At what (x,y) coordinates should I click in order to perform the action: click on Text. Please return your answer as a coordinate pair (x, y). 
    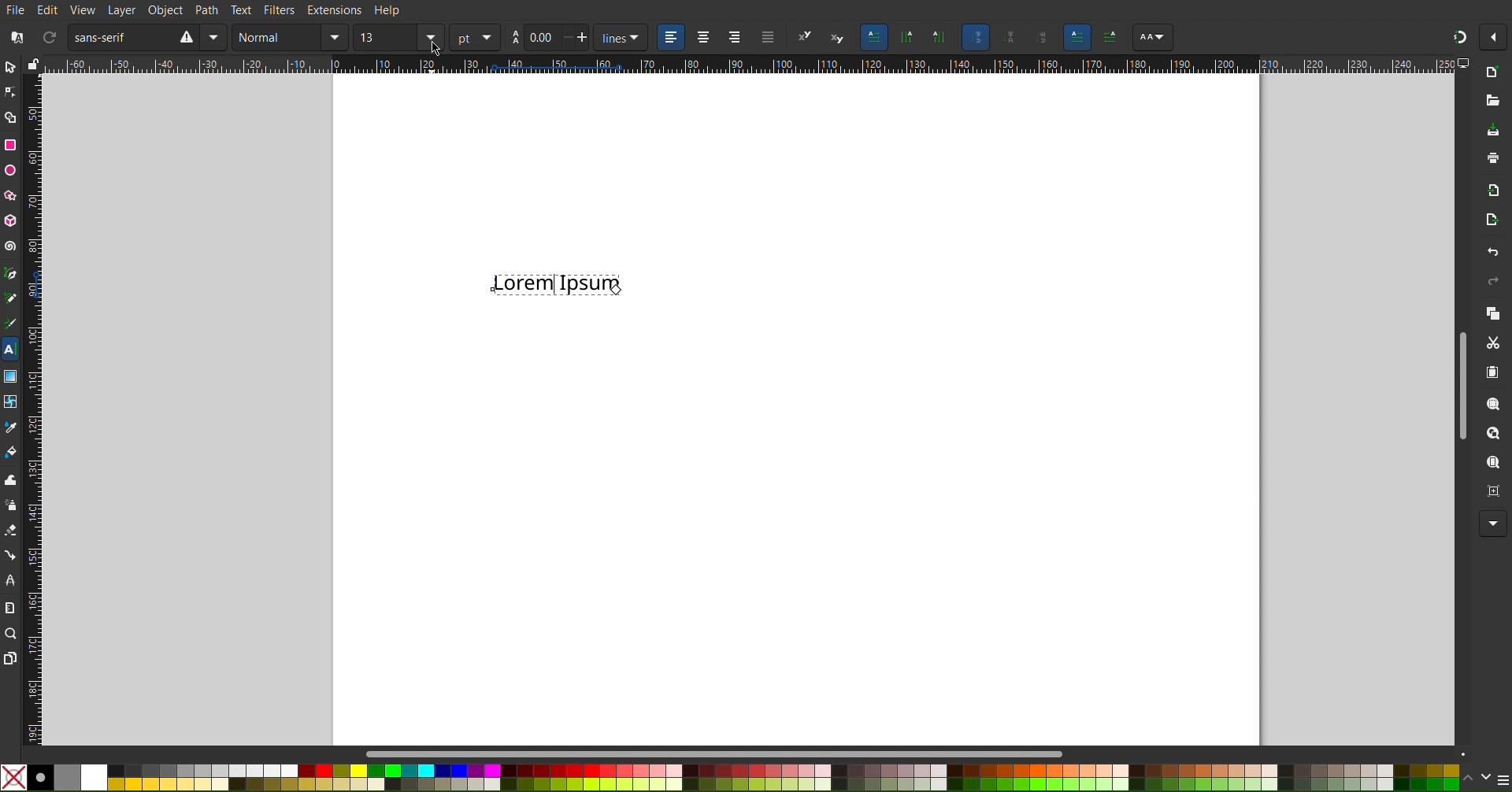
    Looking at the image, I should click on (556, 283).